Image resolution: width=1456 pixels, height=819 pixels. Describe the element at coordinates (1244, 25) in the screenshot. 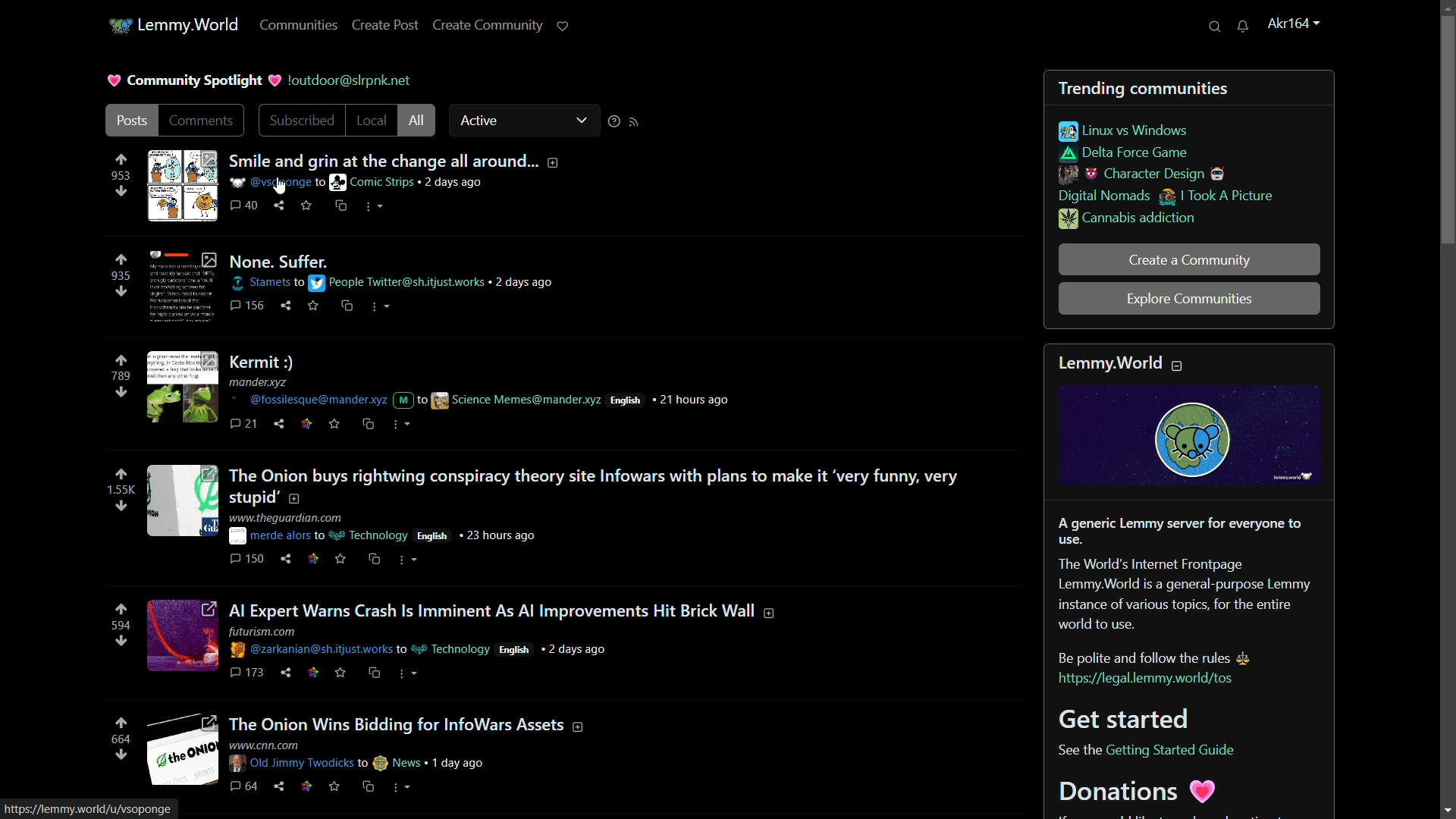

I see `unread messages` at that location.